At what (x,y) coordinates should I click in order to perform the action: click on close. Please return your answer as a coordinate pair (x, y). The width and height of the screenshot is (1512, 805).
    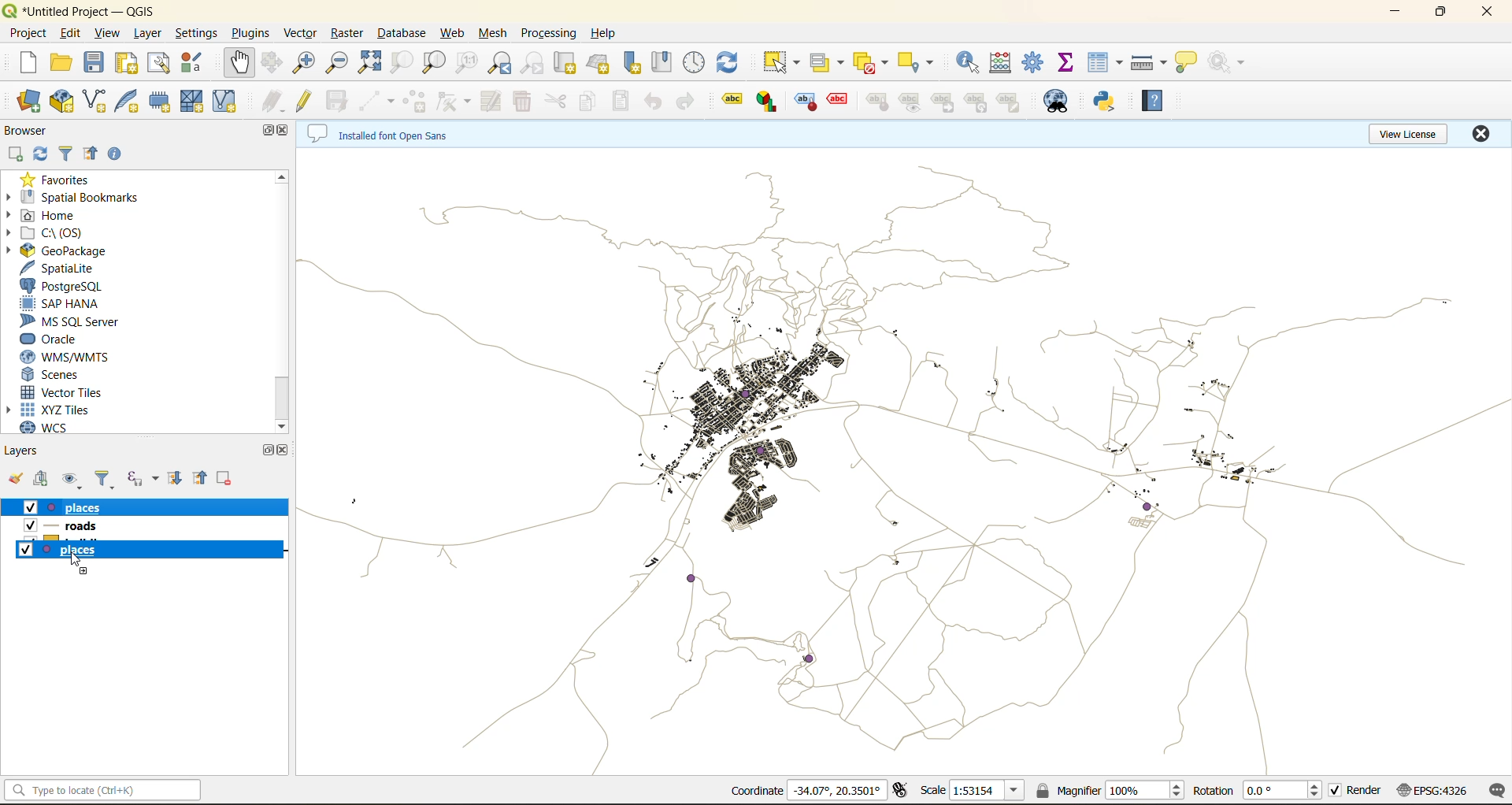
    Looking at the image, I should click on (283, 454).